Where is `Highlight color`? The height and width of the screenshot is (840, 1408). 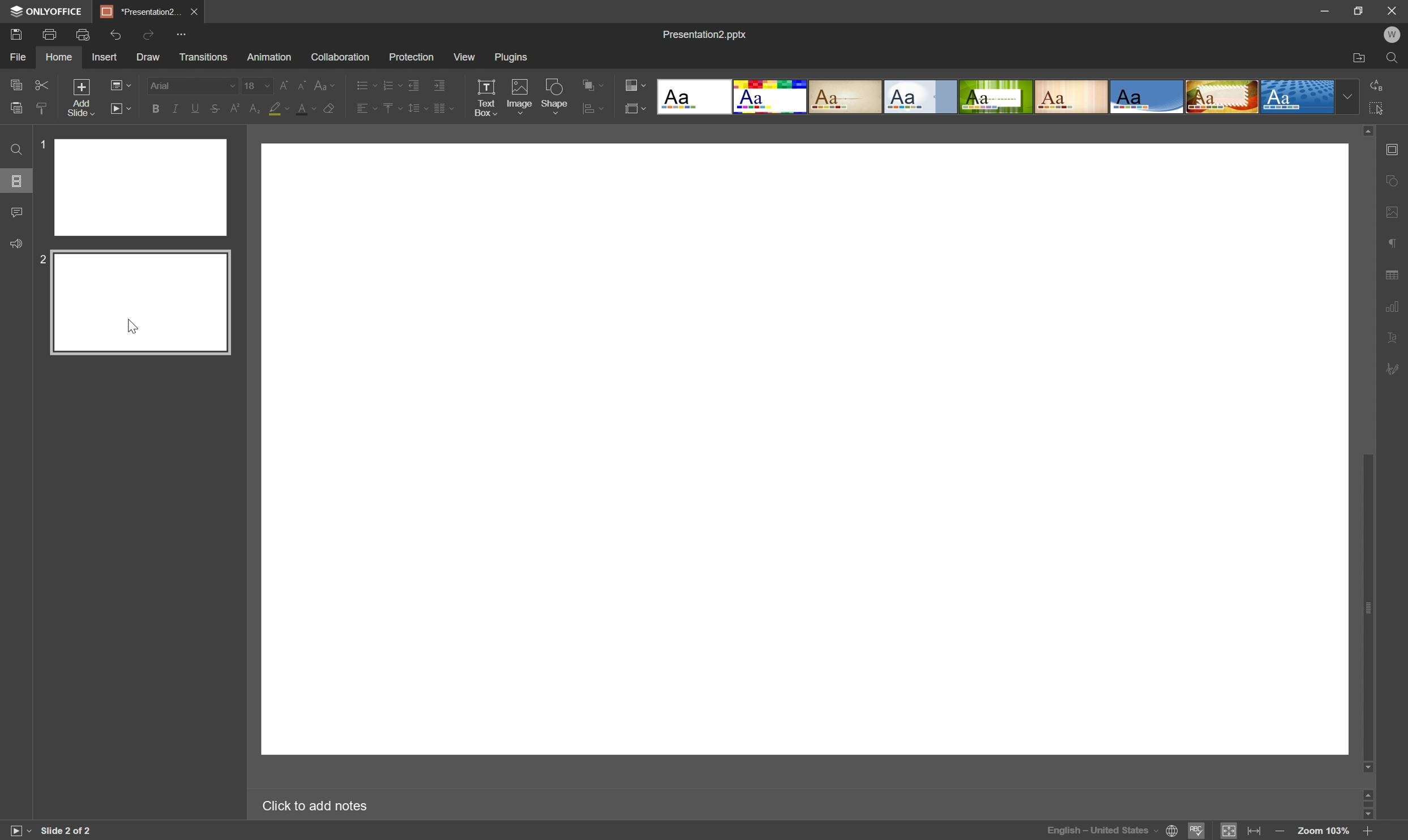 Highlight color is located at coordinates (280, 109).